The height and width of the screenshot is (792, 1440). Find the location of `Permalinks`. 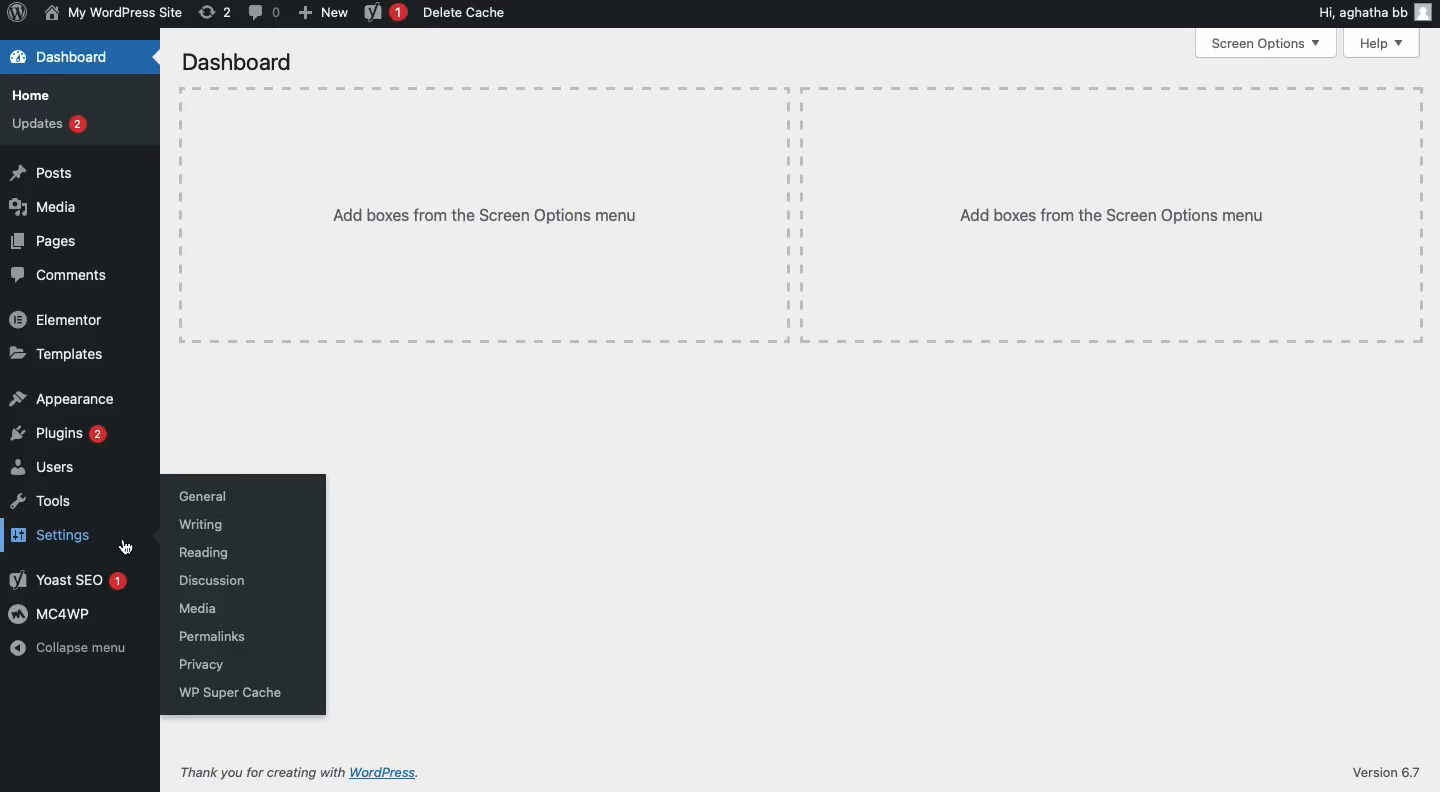

Permalinks is located at coordinates (208, 636).